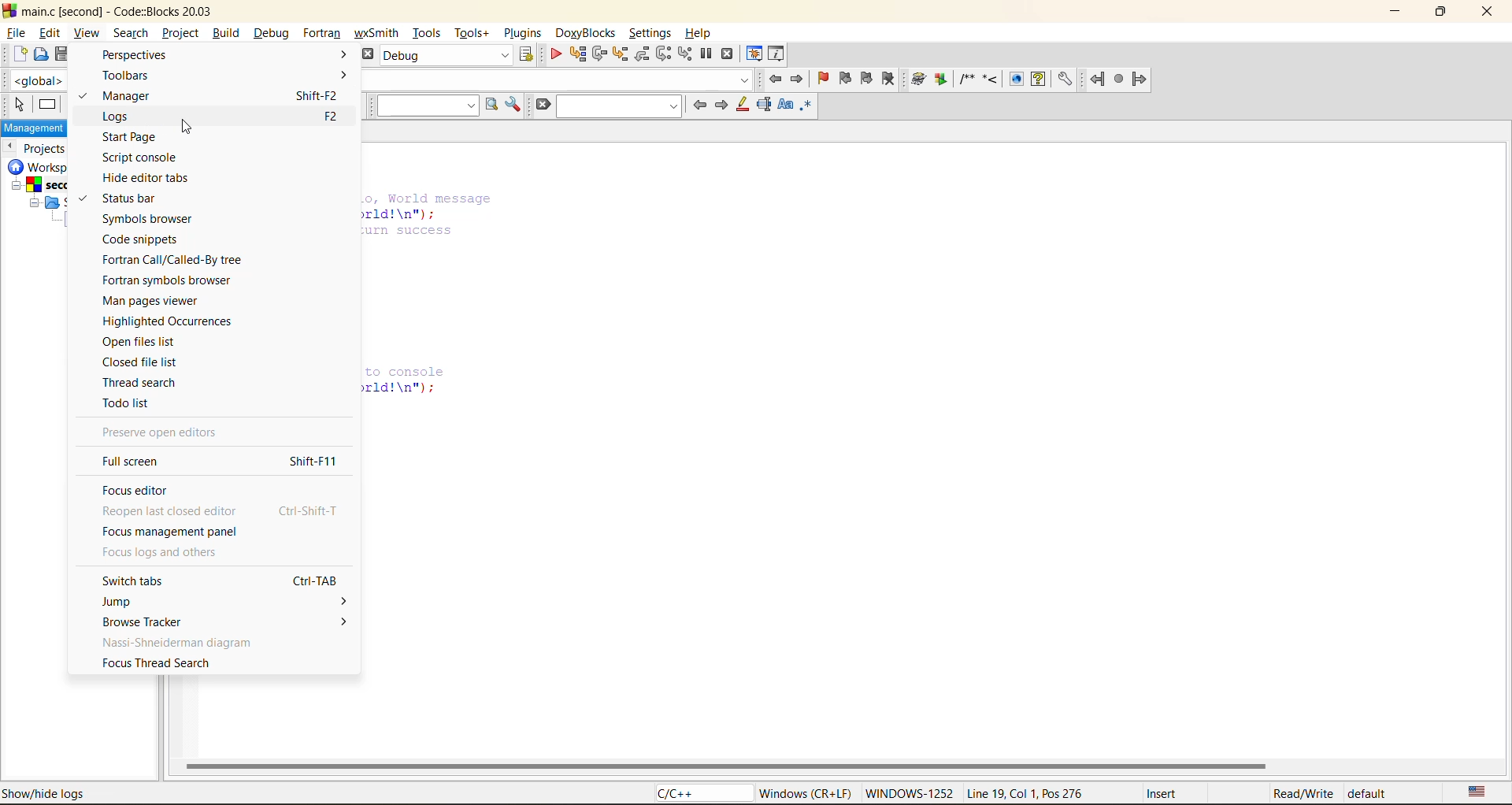  Describe the element at coordinates (122, 117) in the screenshot. I see `logs` at that location.